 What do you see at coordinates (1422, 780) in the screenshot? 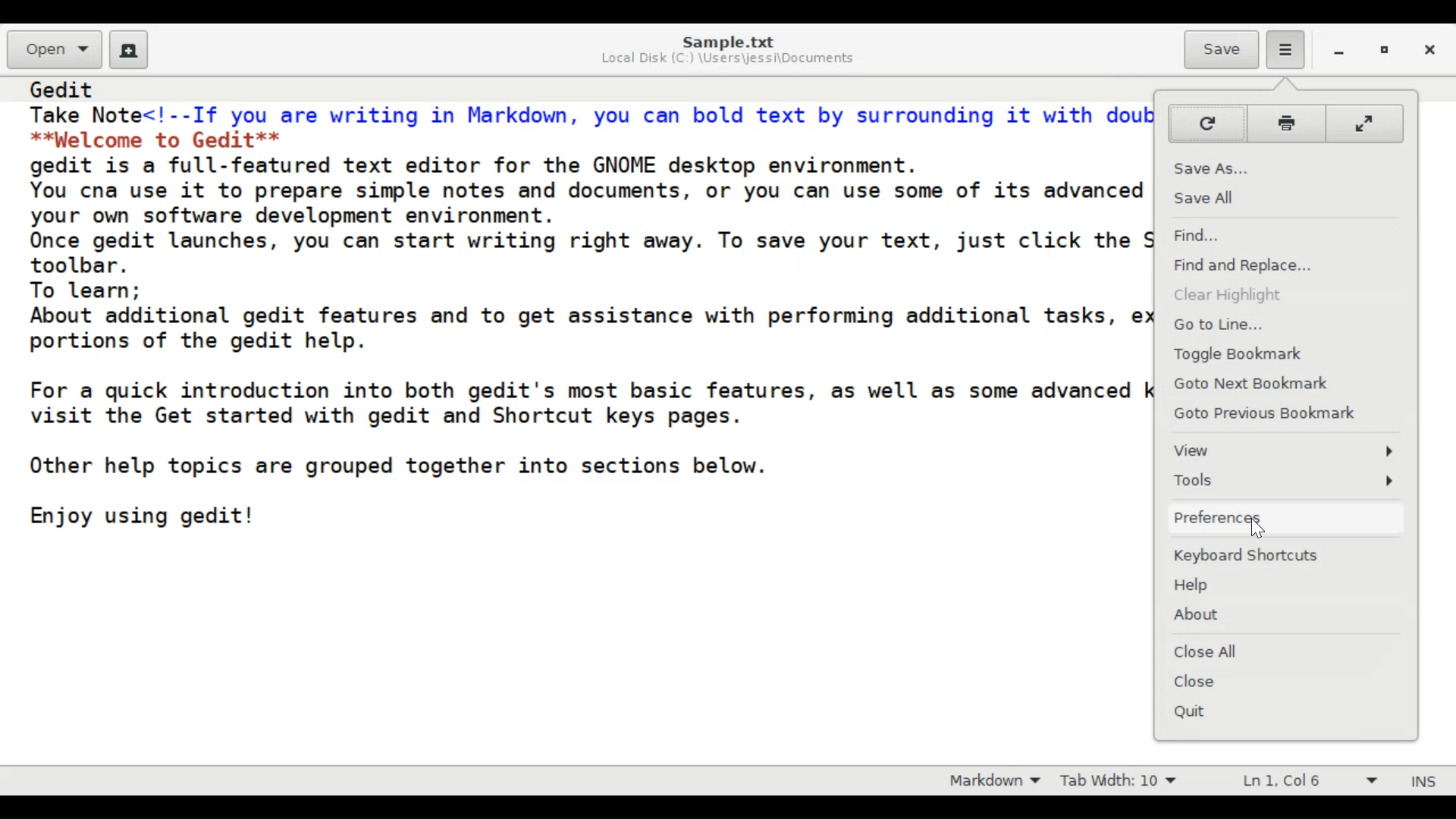
I see `Insert Mode` at bounding box center [1422, 780].